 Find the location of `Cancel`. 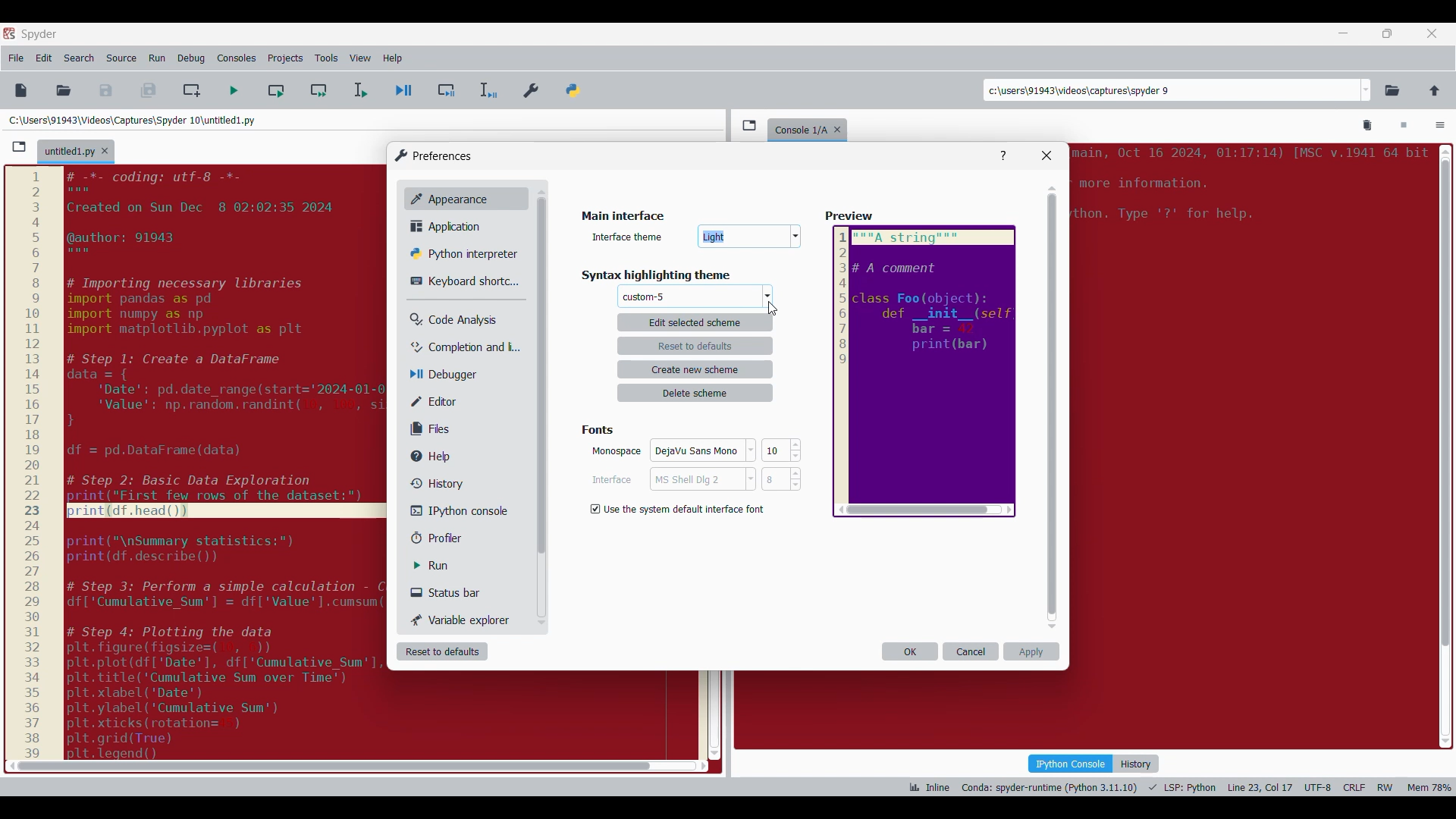

Cancel is located at coordinates (695, 482).